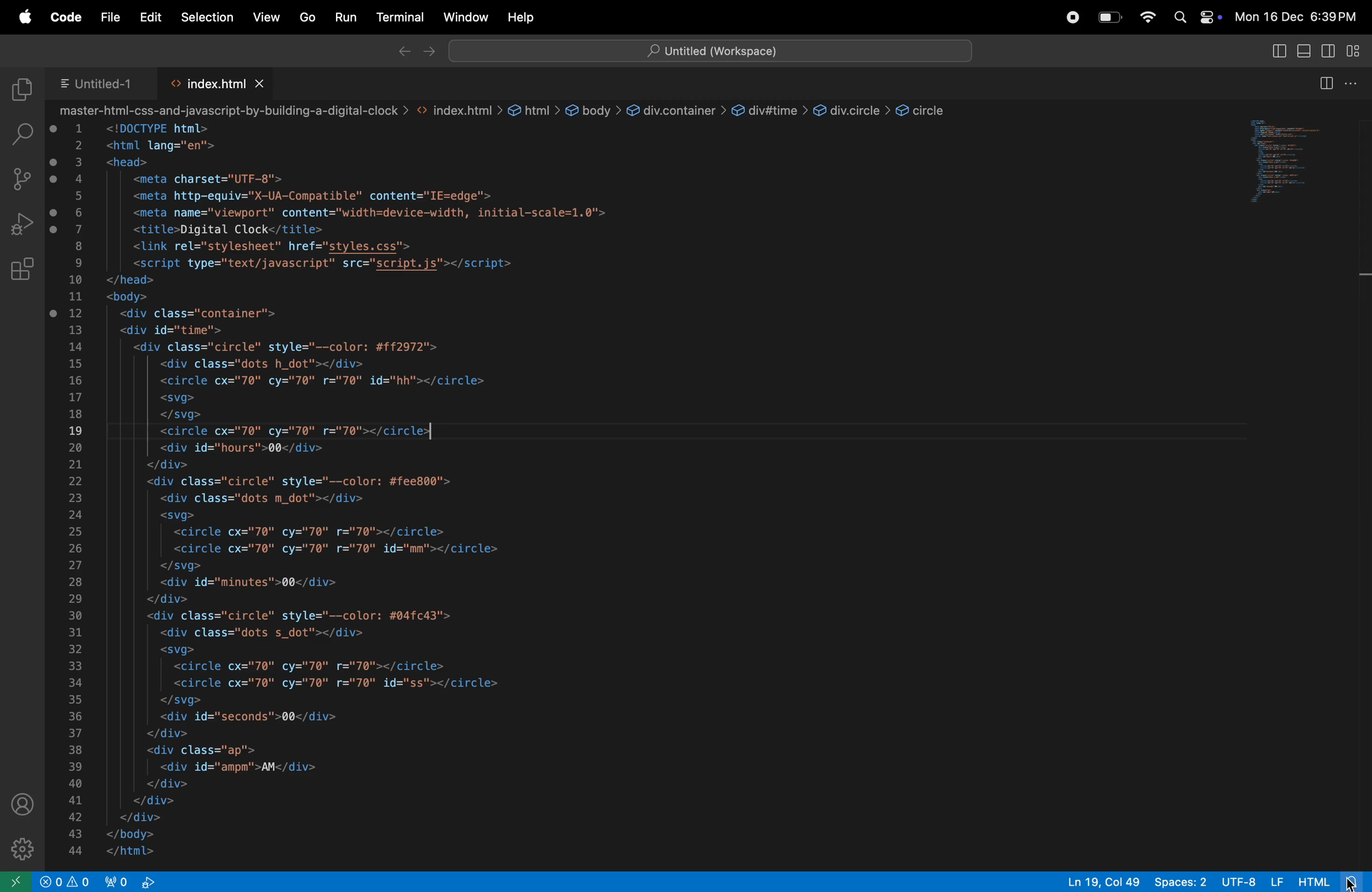 The height and width of the screenshot is (892, 1372). Describe the element at coordinates (532, 18) in the screenshot. I see `help` at that location.